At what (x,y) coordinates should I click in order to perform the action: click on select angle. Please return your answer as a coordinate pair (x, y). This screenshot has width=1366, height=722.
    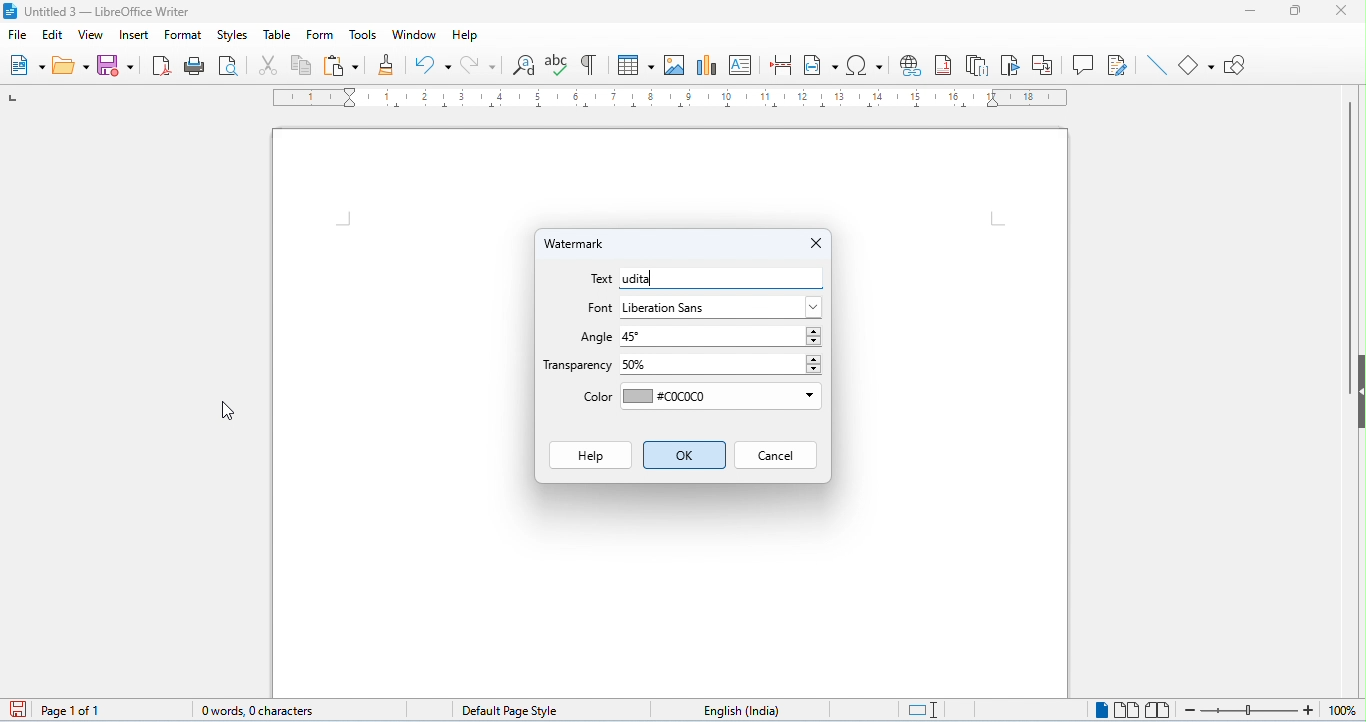
    Looking at the image, I should click on (720, 338).